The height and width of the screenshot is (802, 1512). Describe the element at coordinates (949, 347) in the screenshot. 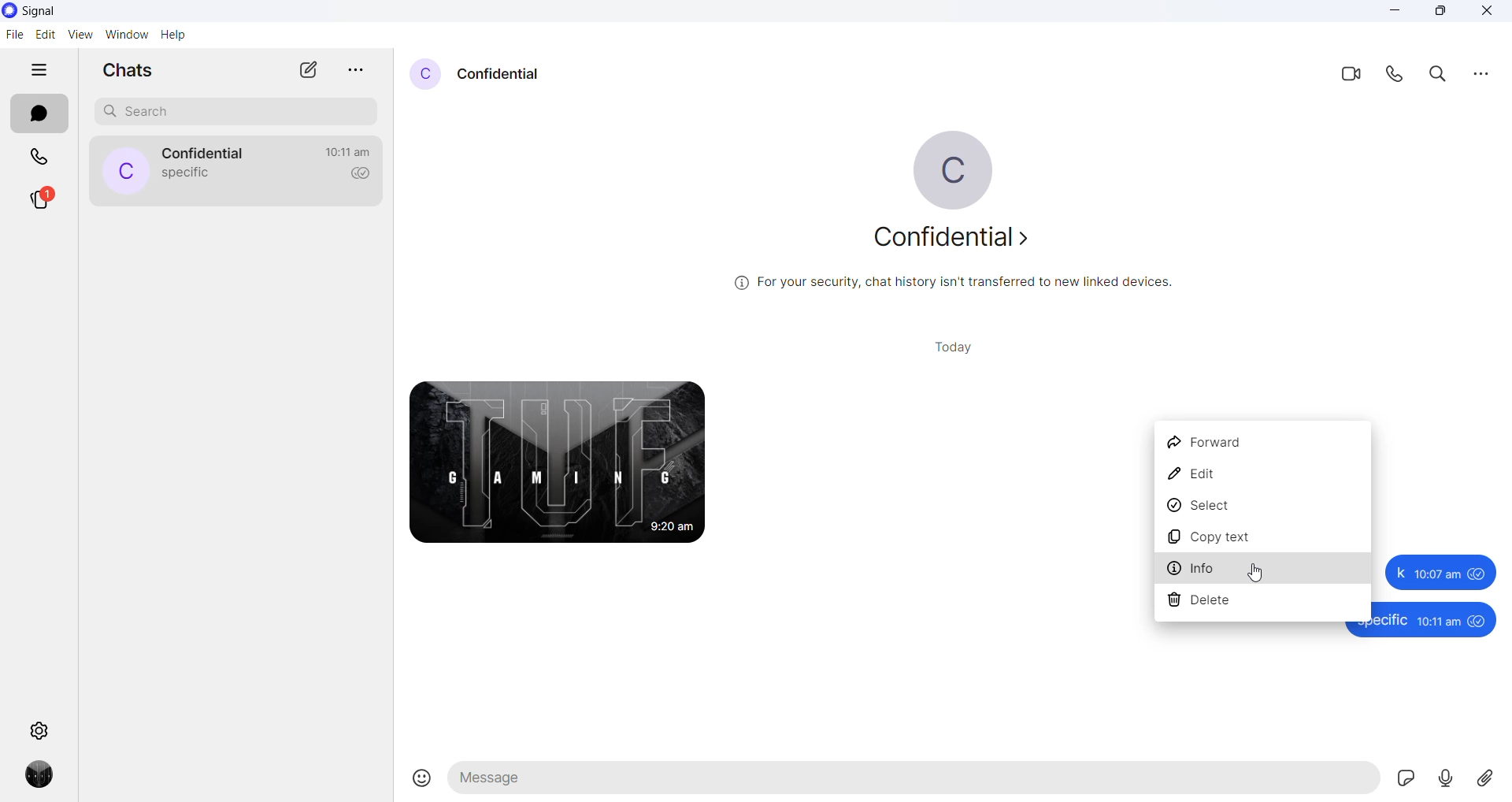

I see `today heading` at that location.